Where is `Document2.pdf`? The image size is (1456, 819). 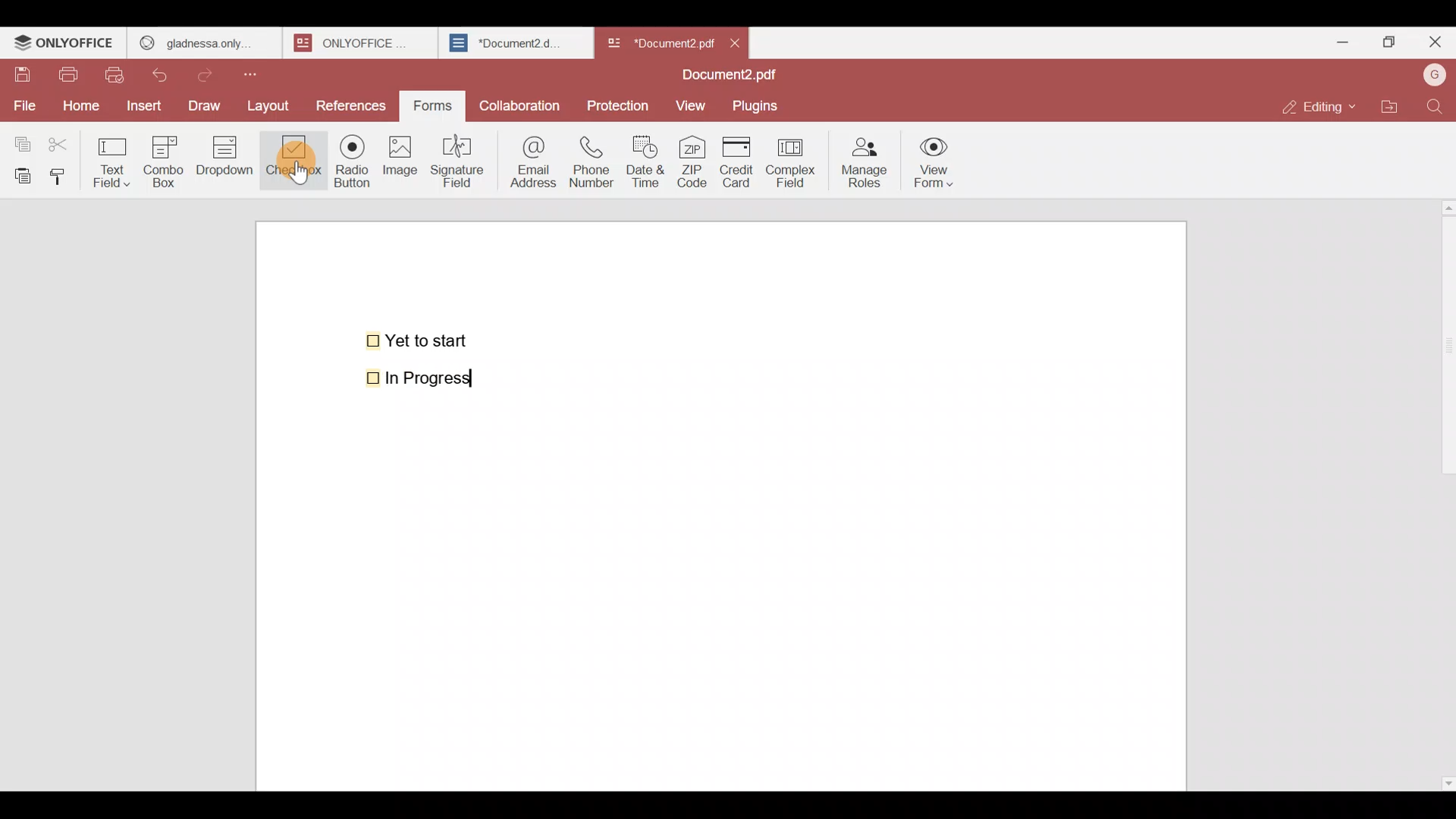
Document2.pdf is located at coordinates (725, 77).